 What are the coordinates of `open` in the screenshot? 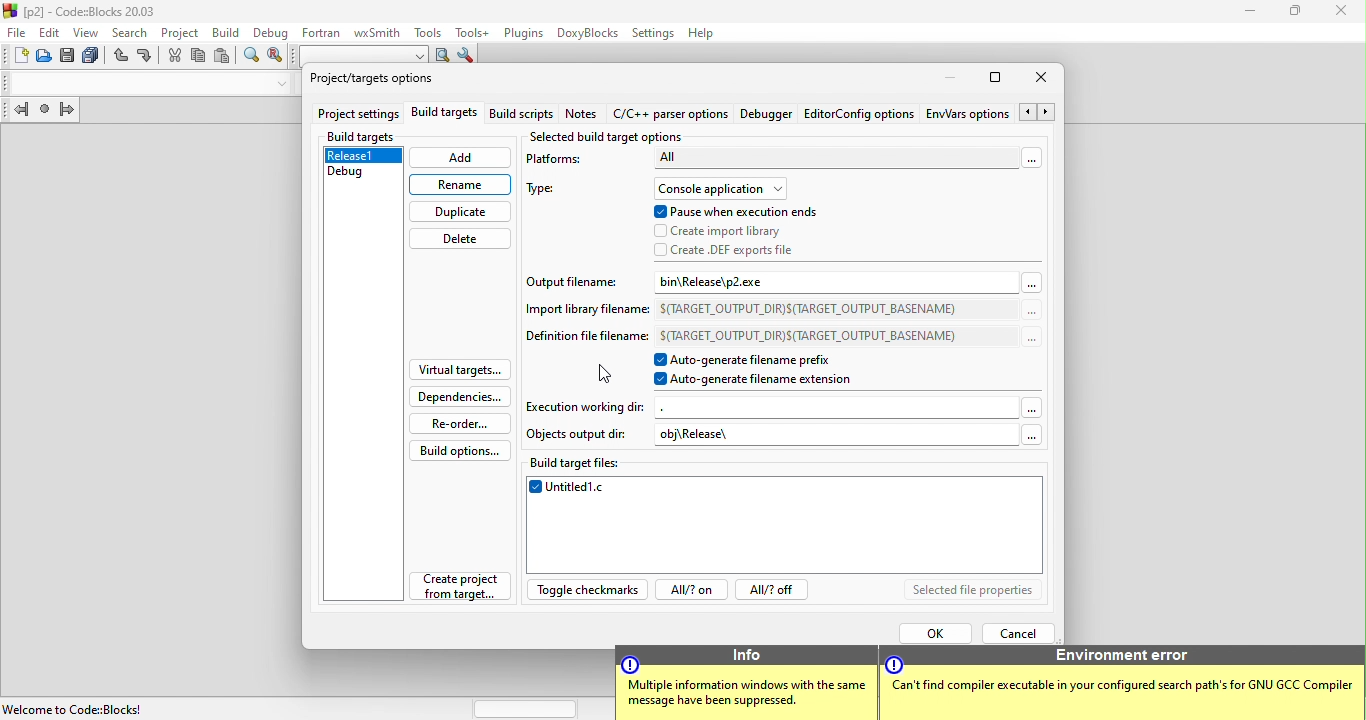 It's located at (45, 57).